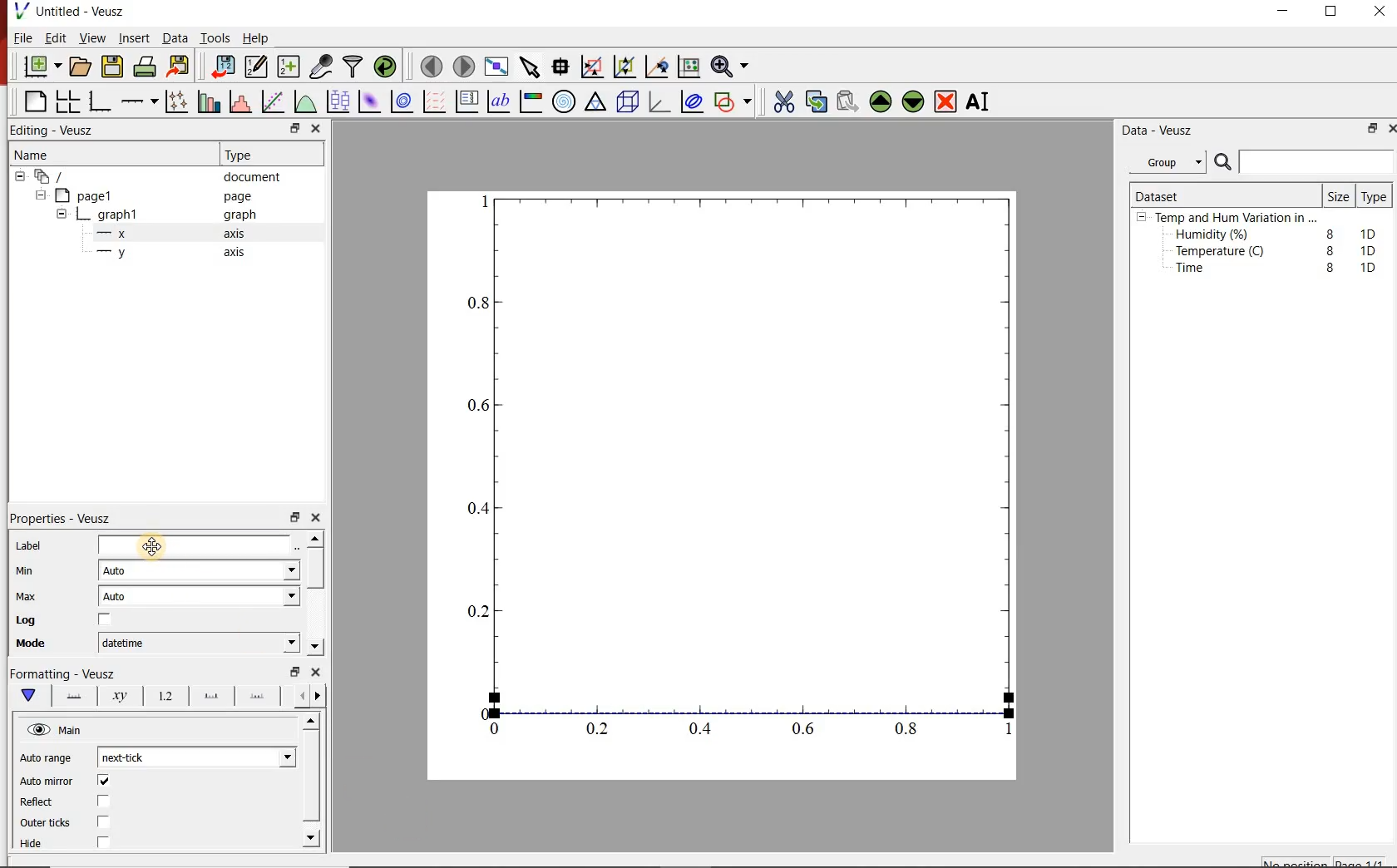  What do you see at coordinates (136, 757) in the screenshot?
I see `next-tick` at bounding box center [136, 757].